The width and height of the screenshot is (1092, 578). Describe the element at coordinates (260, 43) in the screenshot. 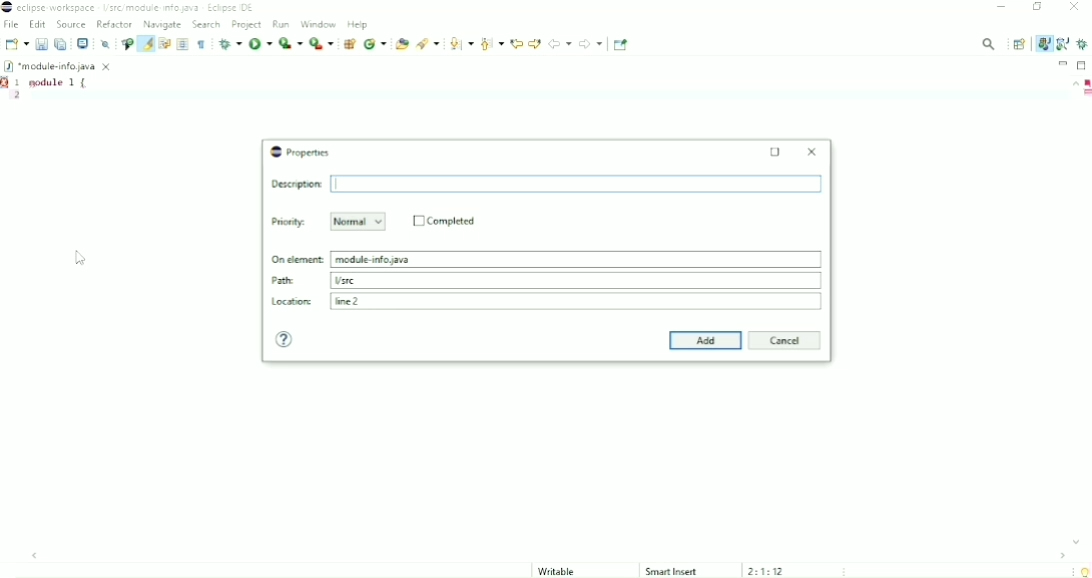

I see `Run` at that location.